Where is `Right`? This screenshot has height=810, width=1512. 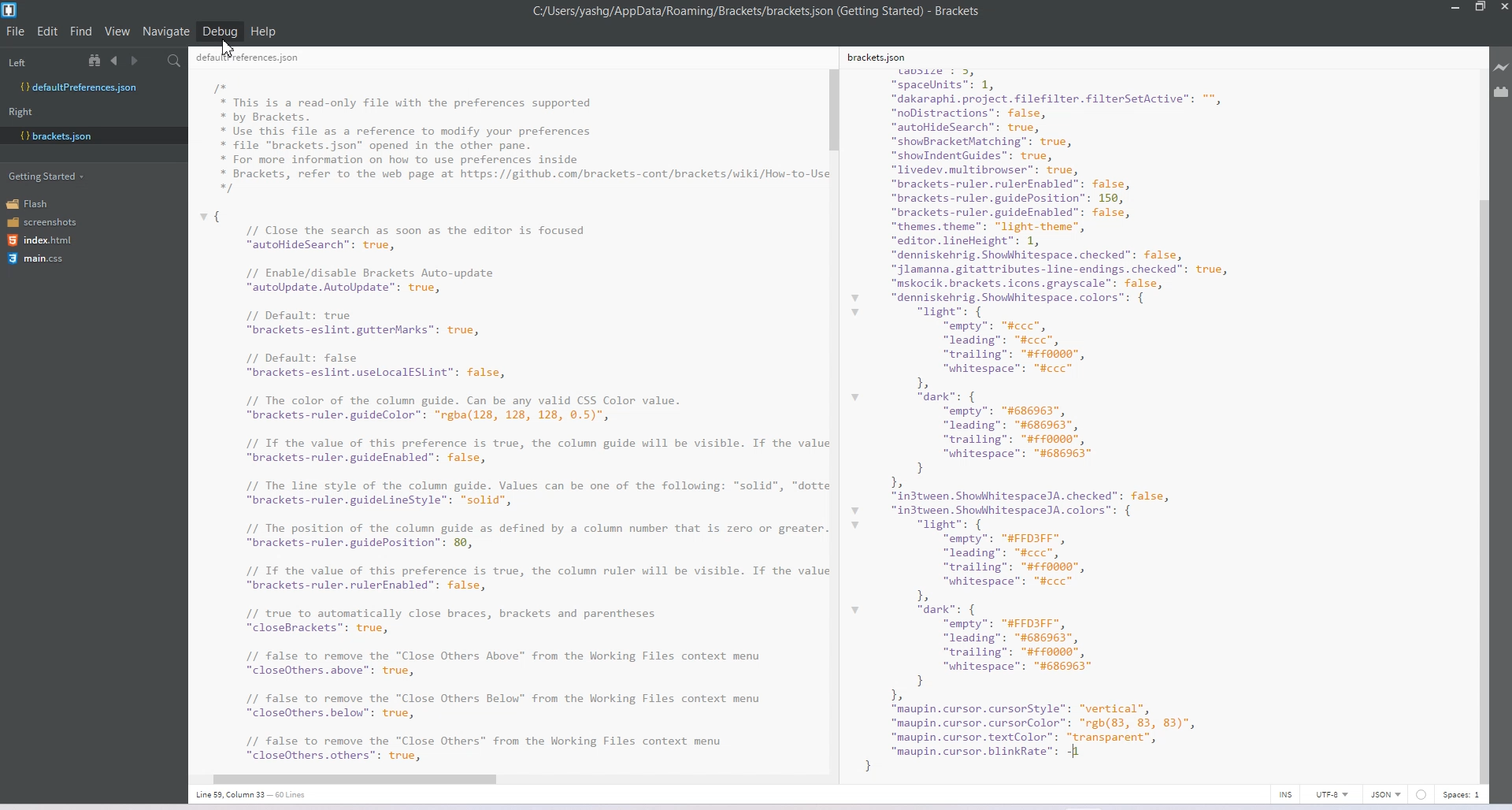
Right is located at coordinates (20, 112).